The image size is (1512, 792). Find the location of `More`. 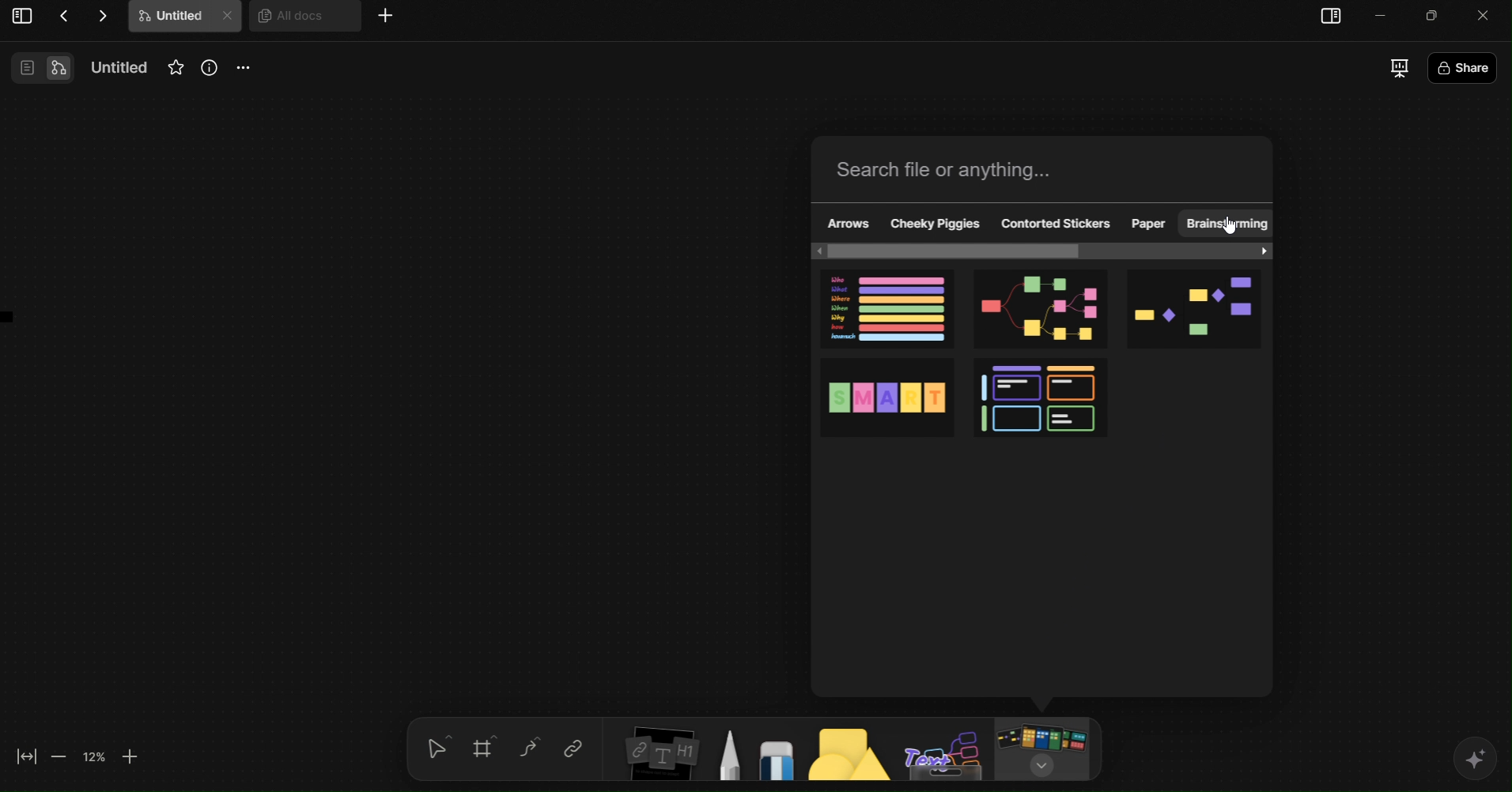

More is located at coordinates (244, 70).